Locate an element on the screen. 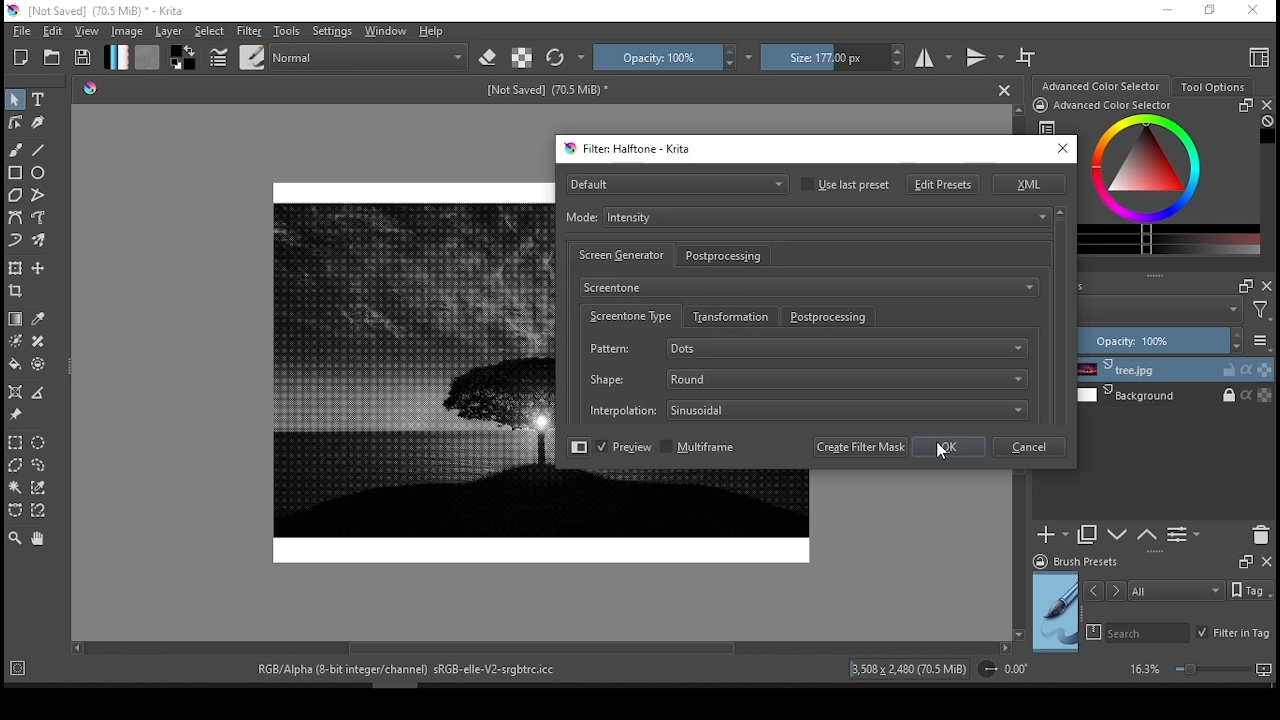 The height and width of the screenshot is (720, 1280). interpolation is located at coordinates (806, 408).